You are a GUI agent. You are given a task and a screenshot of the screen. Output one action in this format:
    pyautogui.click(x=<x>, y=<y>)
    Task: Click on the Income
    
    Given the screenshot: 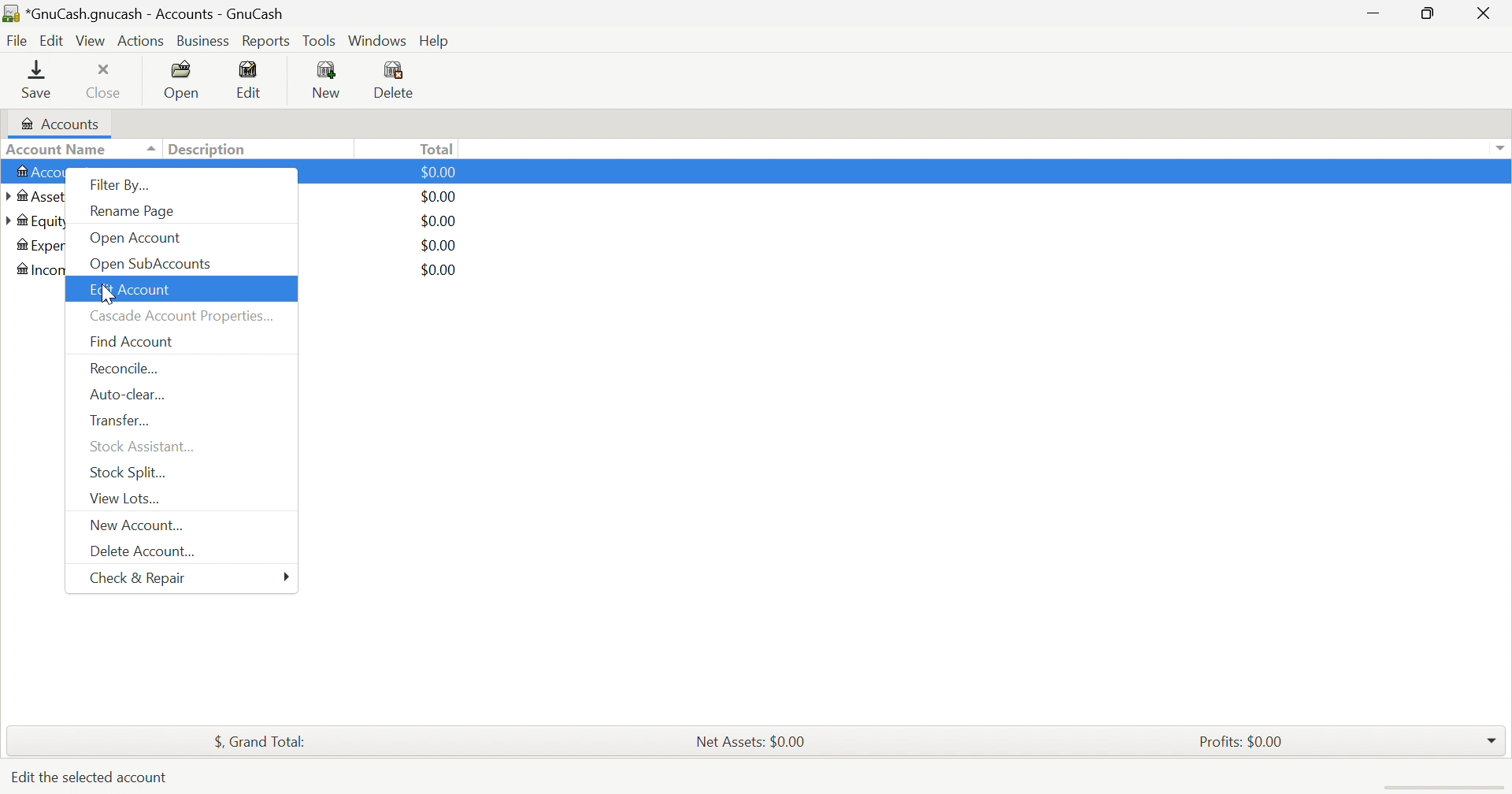 What is the action you would take?
    pyautogui.click(x=39, y=269)
    